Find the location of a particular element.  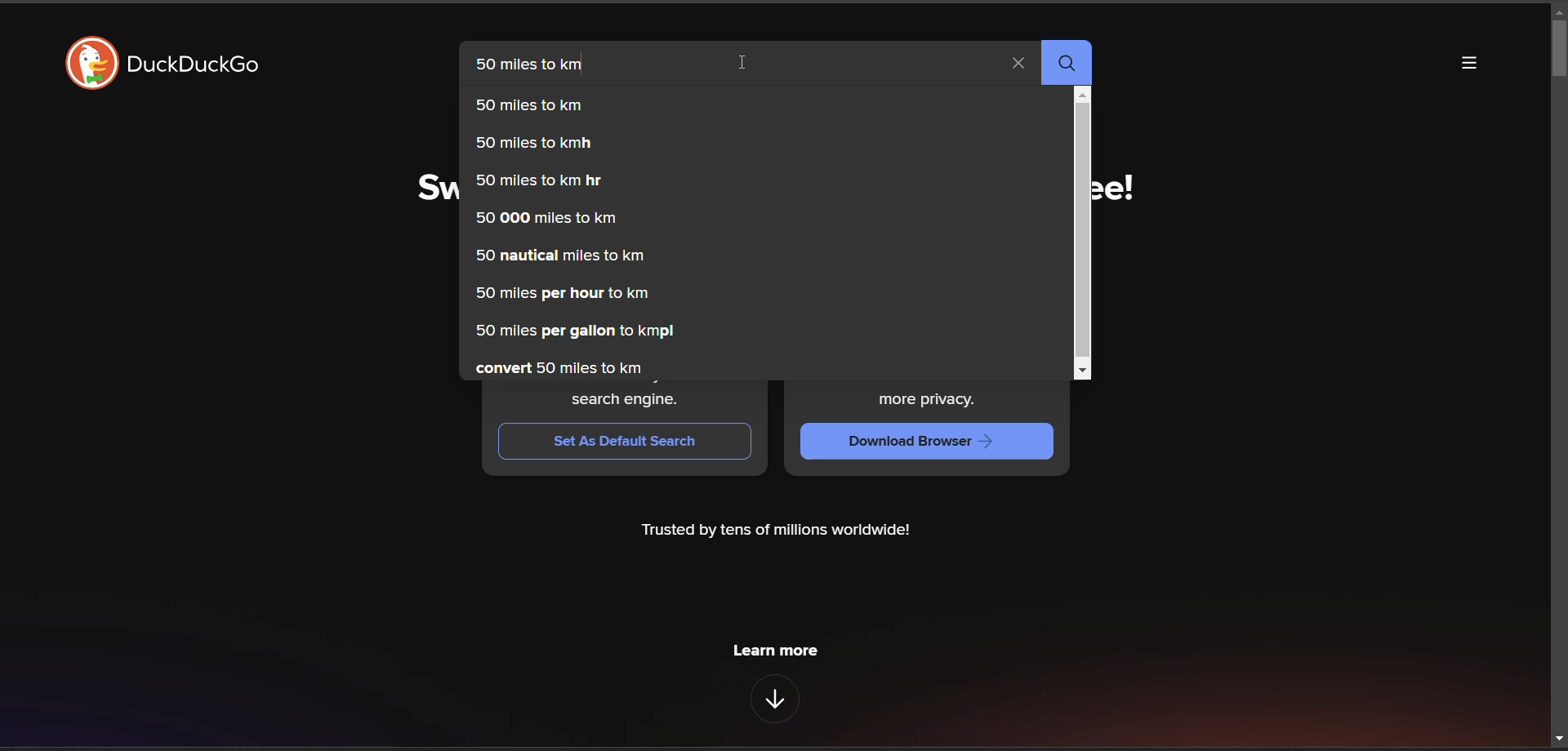

features is located at coordinates (774, 699).